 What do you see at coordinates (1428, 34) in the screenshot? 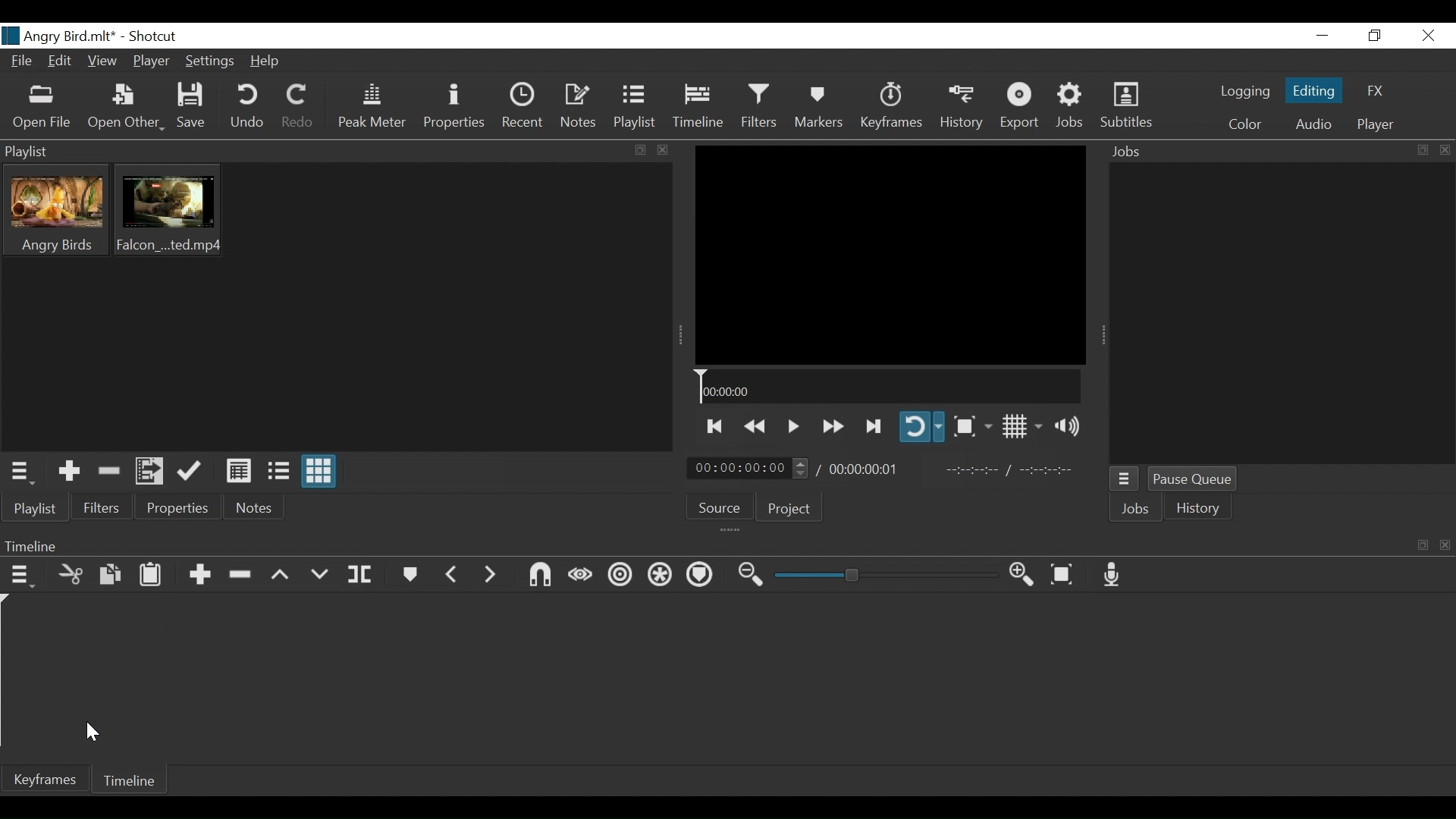
I see `Close` at bounding box center [1428, 34].